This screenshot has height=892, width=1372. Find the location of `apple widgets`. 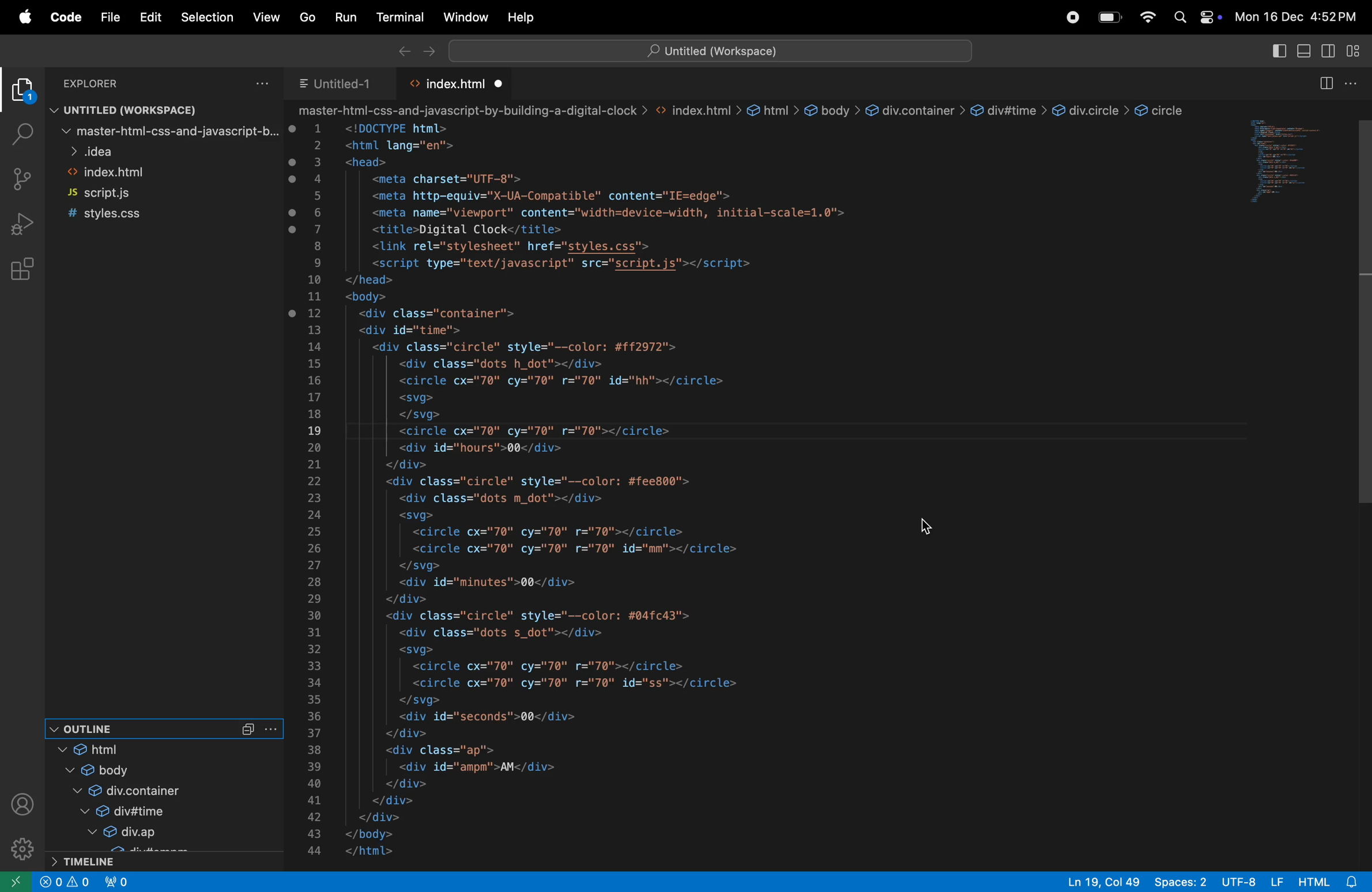

apple widgets is located at coordinates (1194, 14).